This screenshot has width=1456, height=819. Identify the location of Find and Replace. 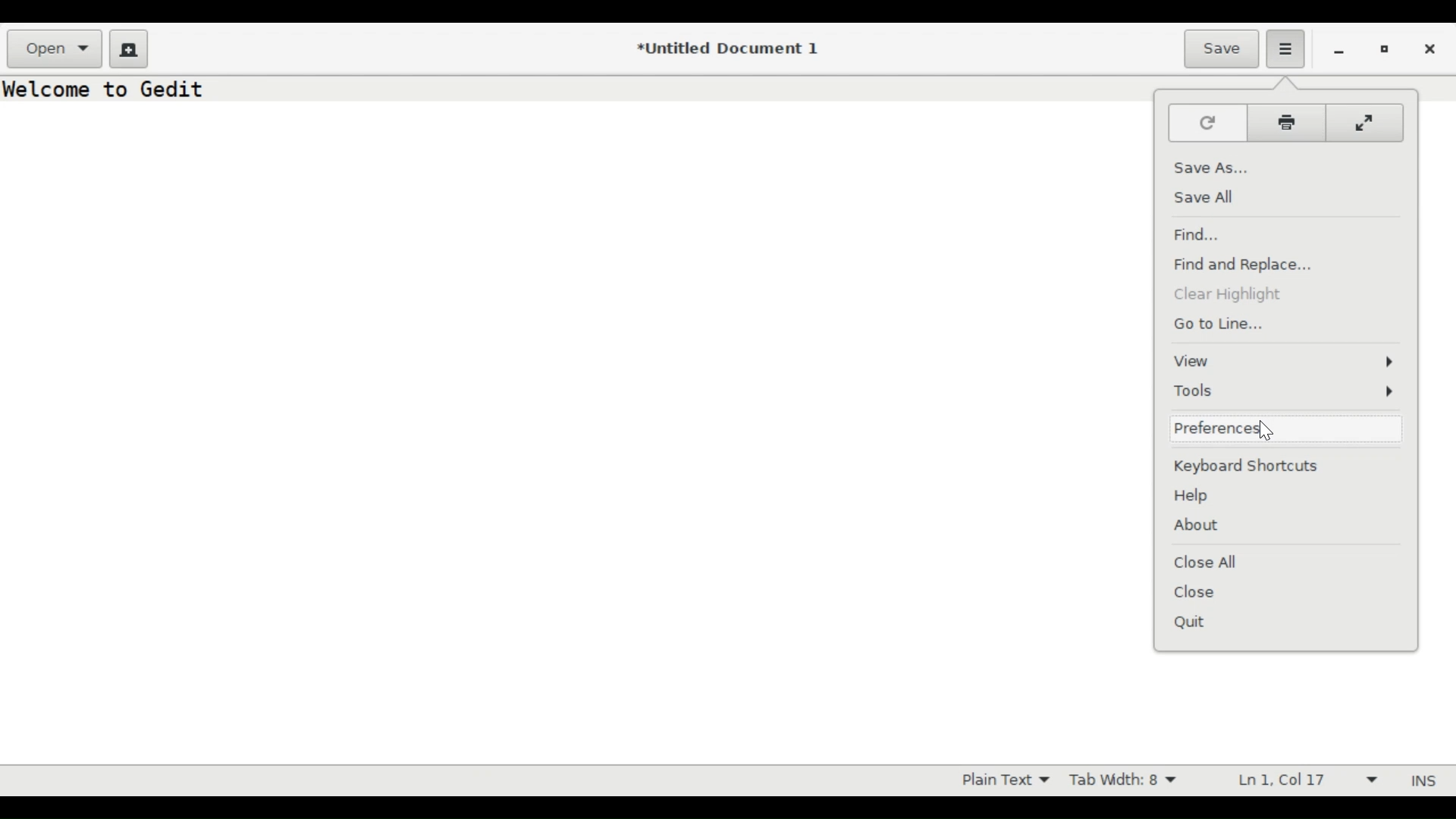
(1244, 265).